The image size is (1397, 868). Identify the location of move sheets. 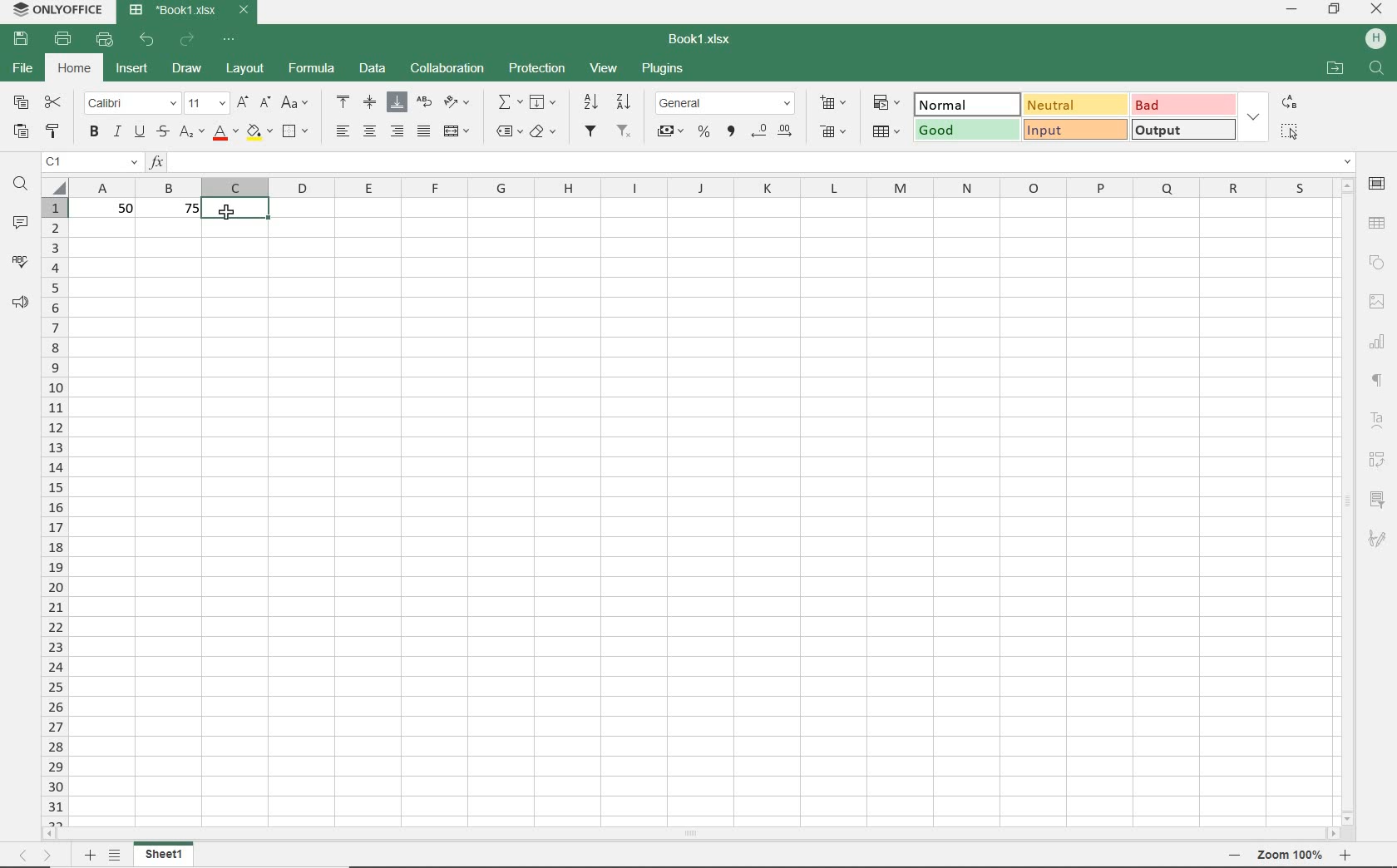
(35, 855).